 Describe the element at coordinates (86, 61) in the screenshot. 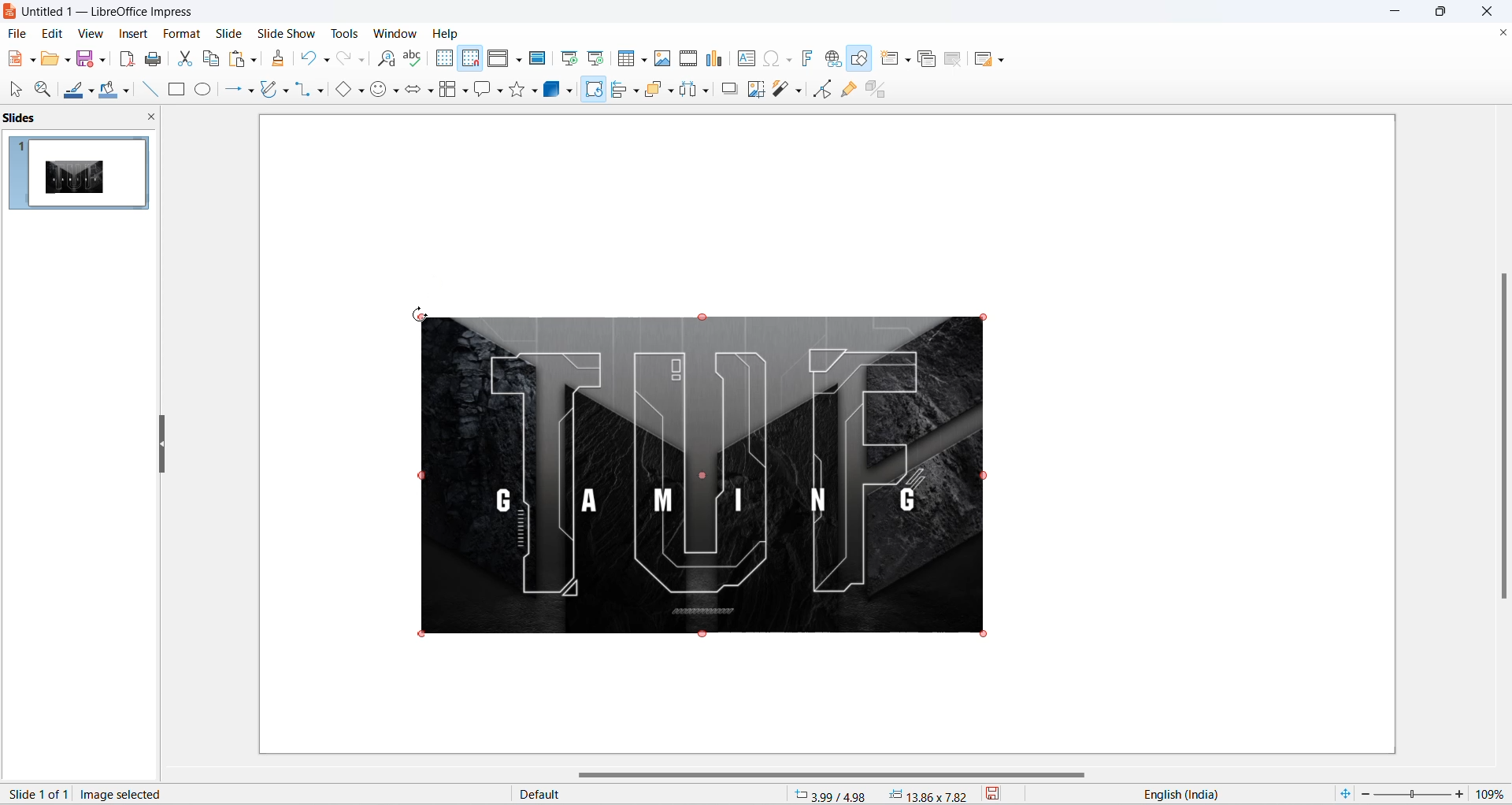

I see `save ` at that location.